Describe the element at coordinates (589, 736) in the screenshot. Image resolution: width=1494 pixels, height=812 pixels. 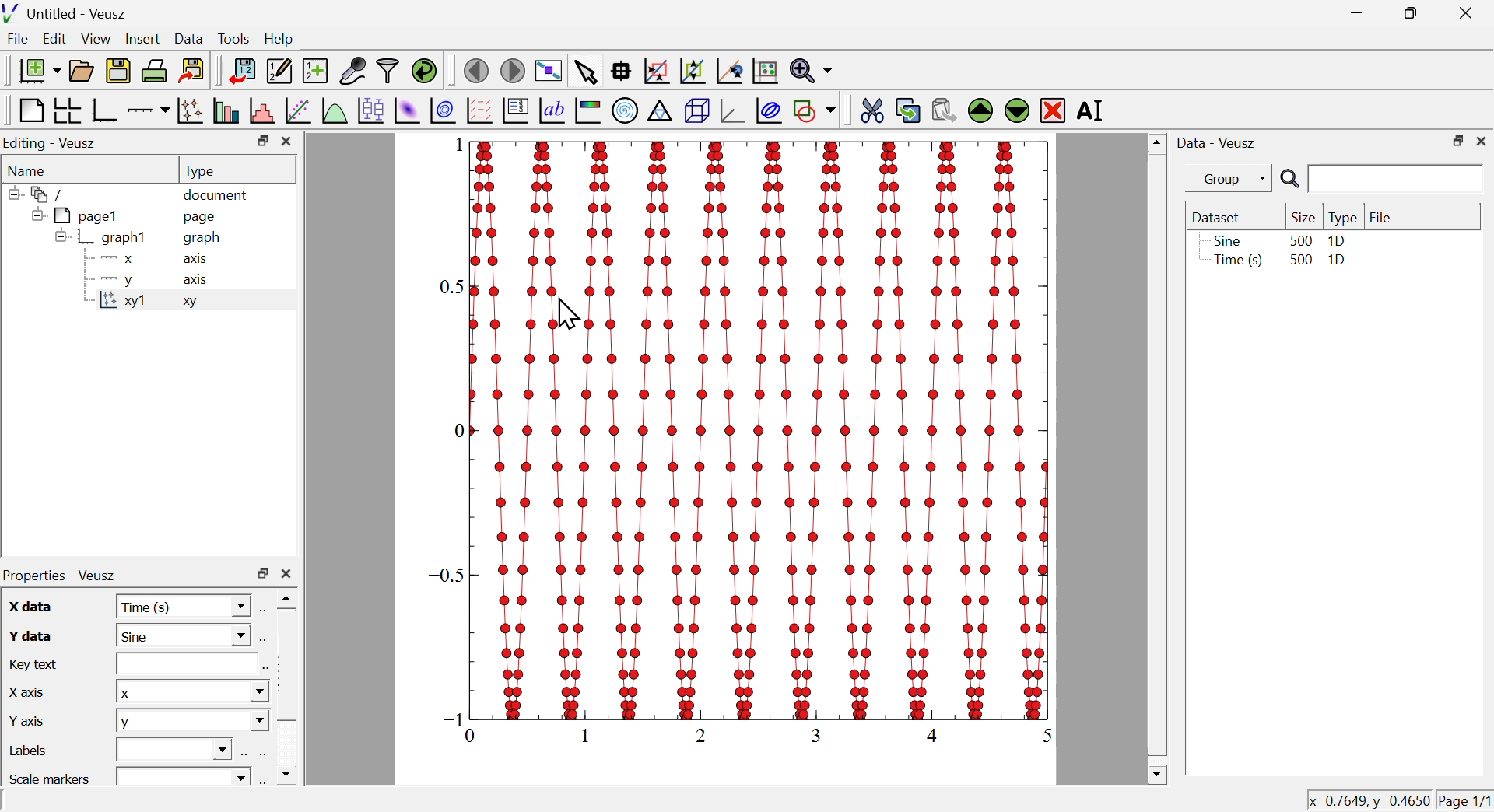
I see `1` at that location.